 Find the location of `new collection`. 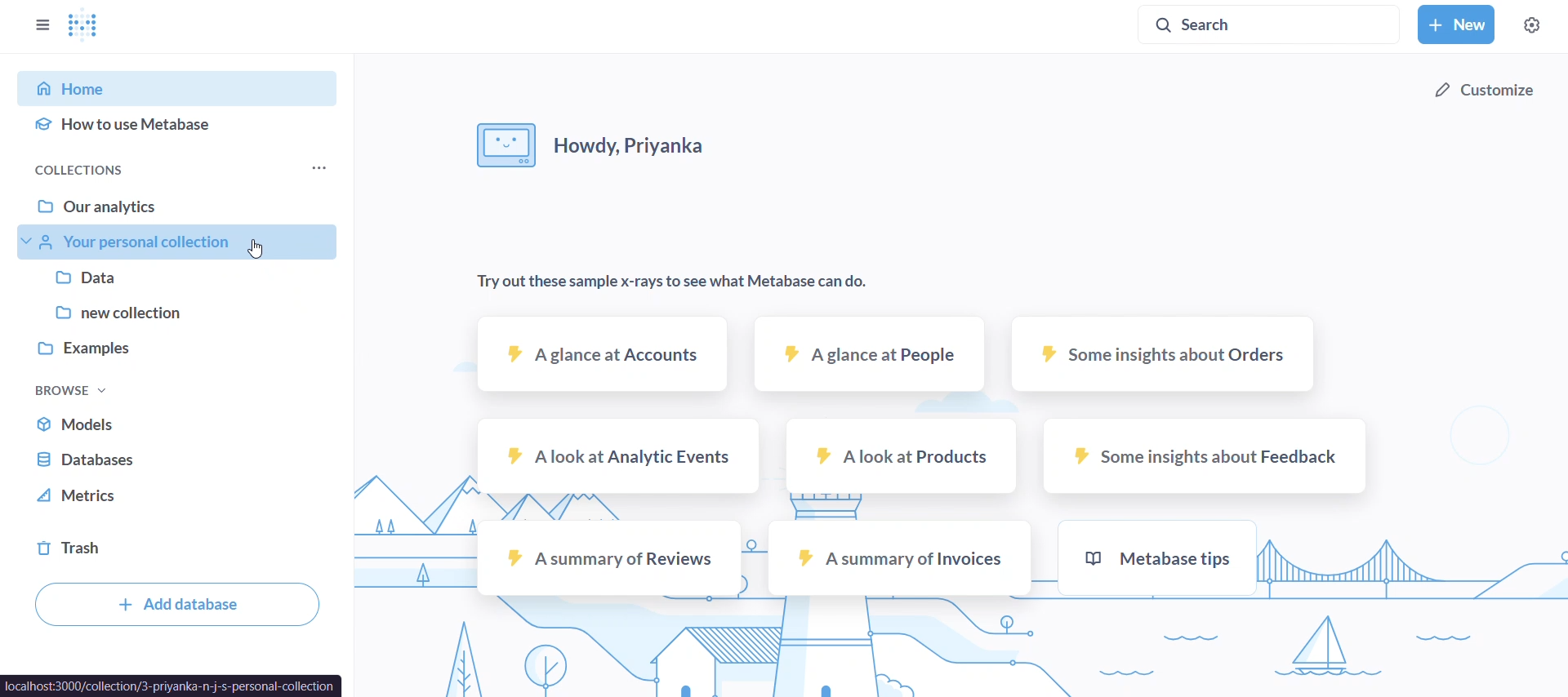

new collection is located at coordinates (183, 309).